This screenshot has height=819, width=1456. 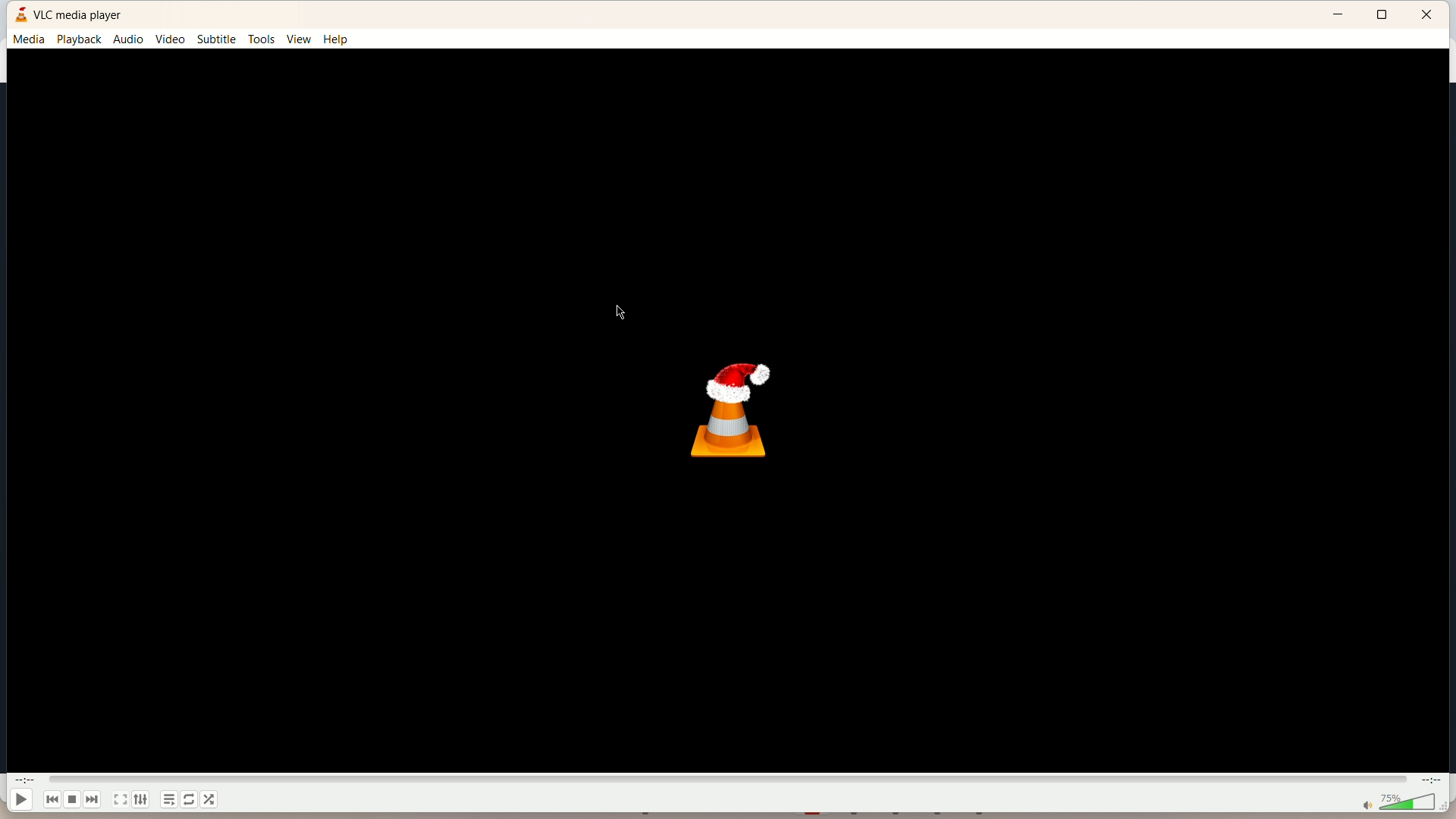 I want to click on video, so click(x=171, y=39).